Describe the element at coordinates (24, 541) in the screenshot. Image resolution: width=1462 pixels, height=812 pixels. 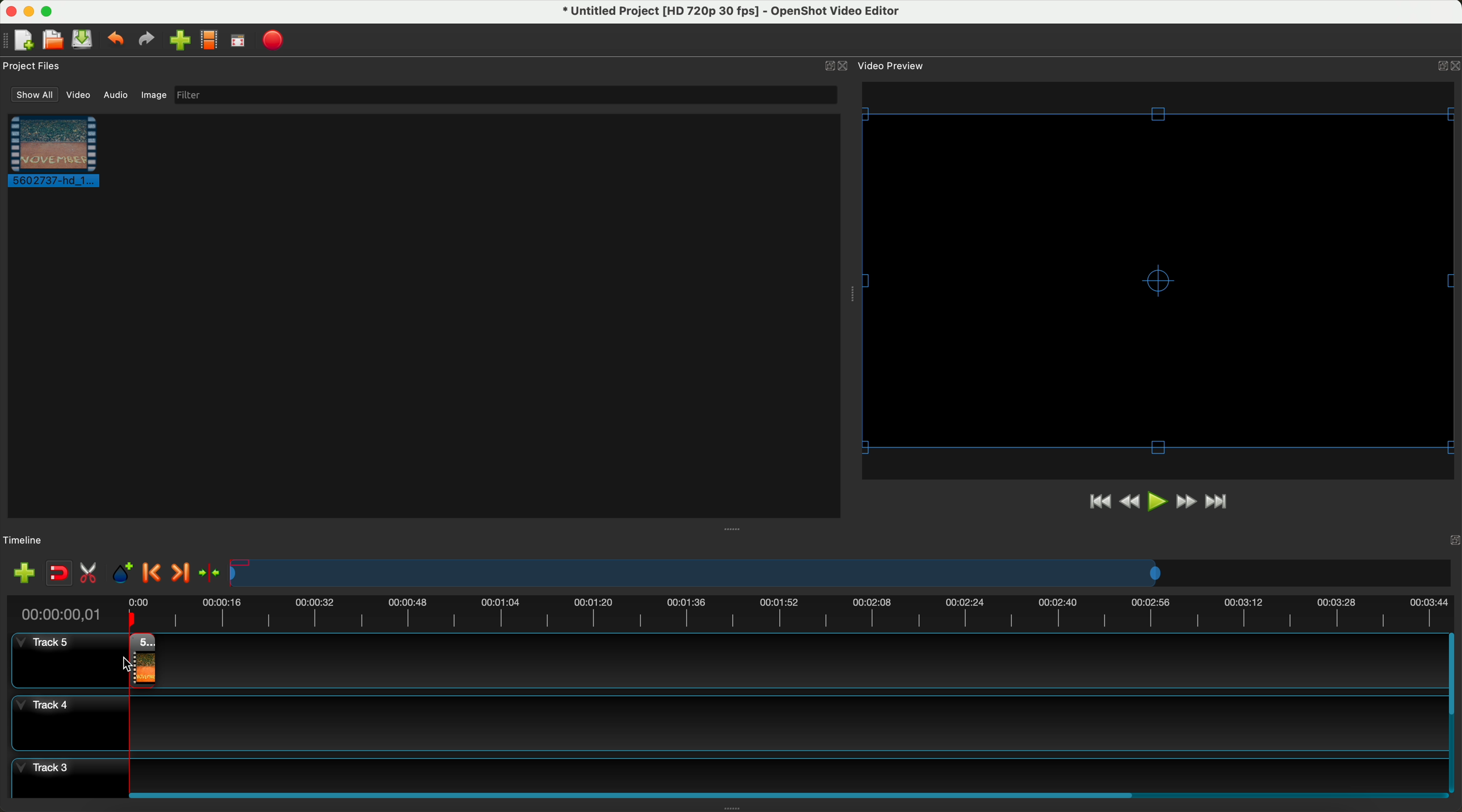
I see `timeline` at that location.